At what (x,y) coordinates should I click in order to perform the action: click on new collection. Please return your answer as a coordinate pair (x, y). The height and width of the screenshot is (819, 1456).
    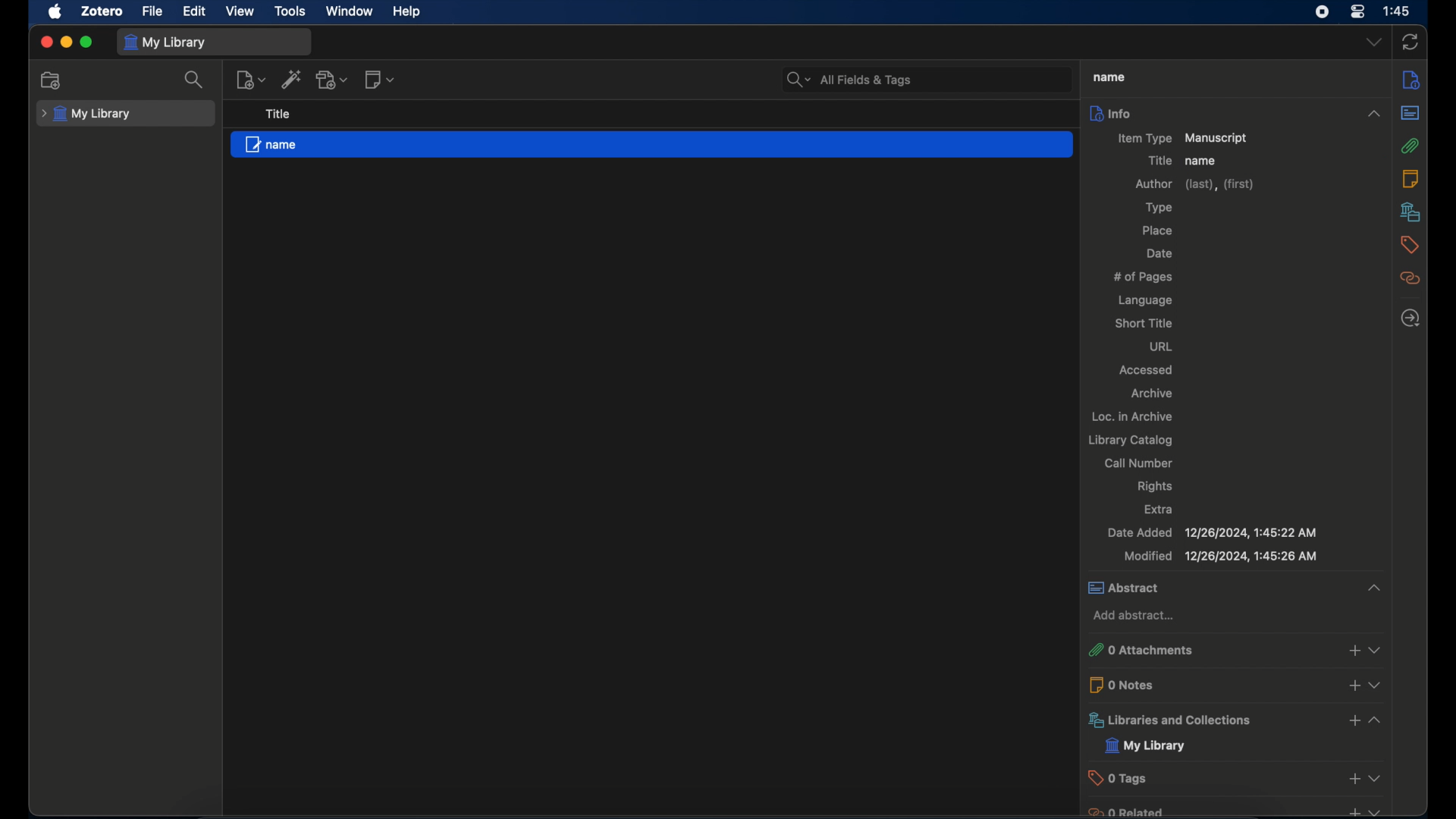
    Looking at the image, I should click on (53, 80).